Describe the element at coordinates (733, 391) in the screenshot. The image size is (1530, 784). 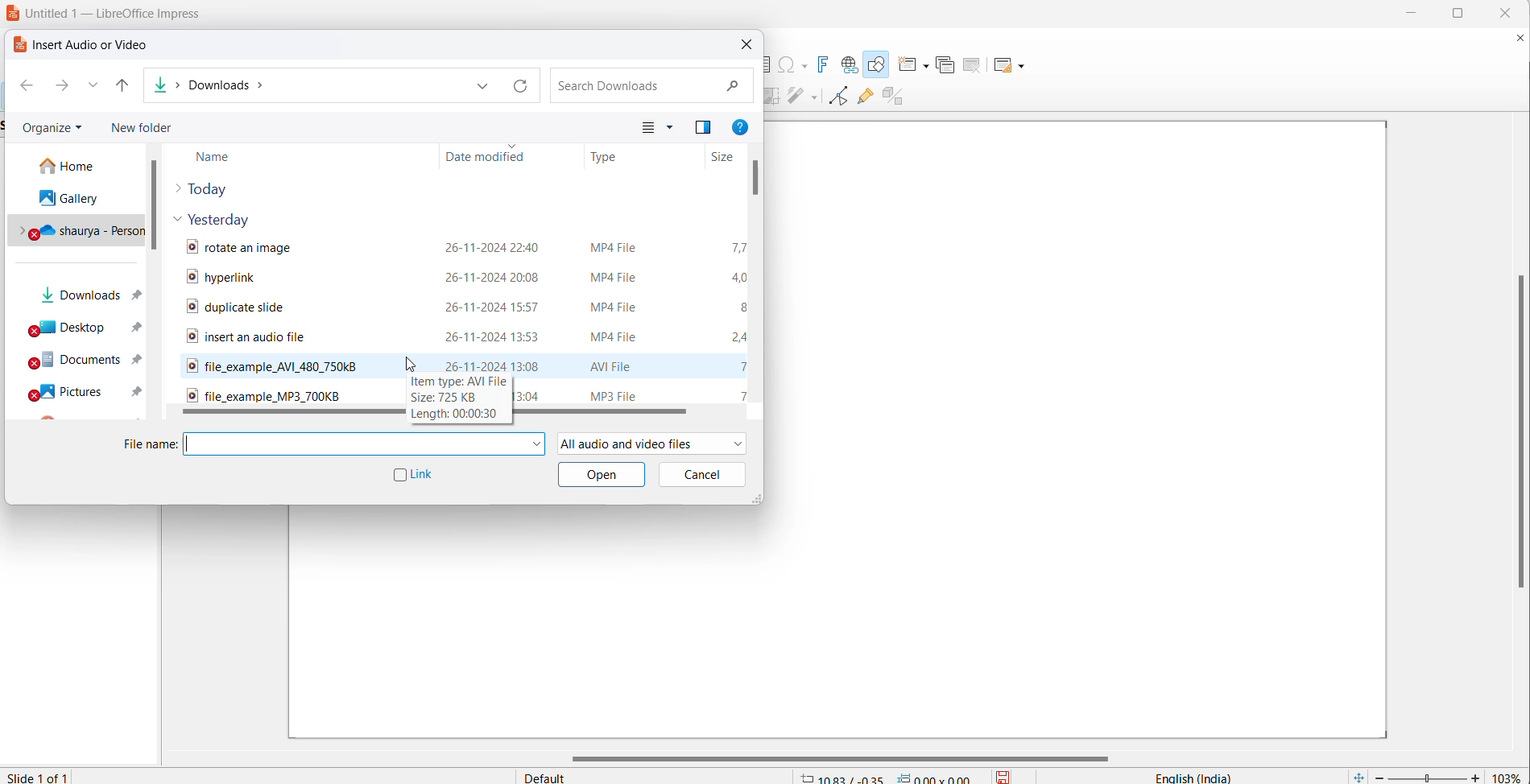
I see `audio file size` at that location.